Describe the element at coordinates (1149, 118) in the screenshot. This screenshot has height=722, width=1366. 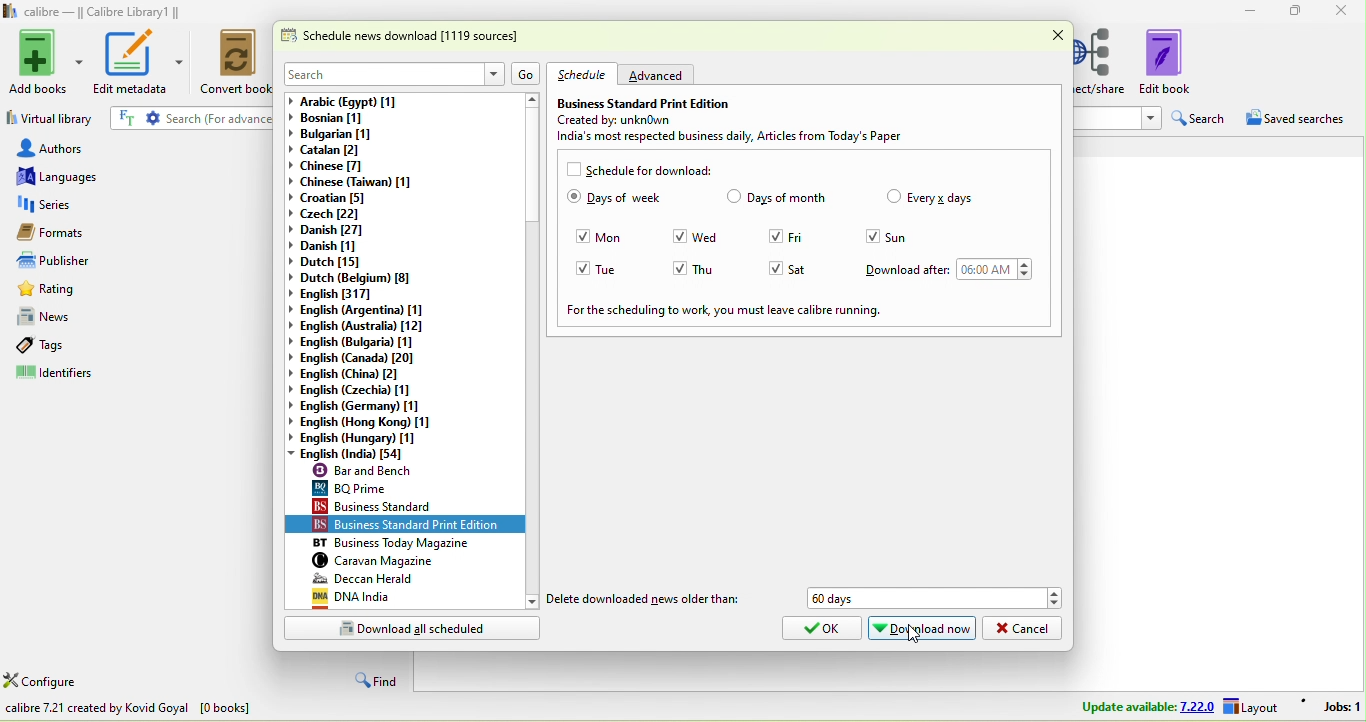
I see `Drop down` at that location.